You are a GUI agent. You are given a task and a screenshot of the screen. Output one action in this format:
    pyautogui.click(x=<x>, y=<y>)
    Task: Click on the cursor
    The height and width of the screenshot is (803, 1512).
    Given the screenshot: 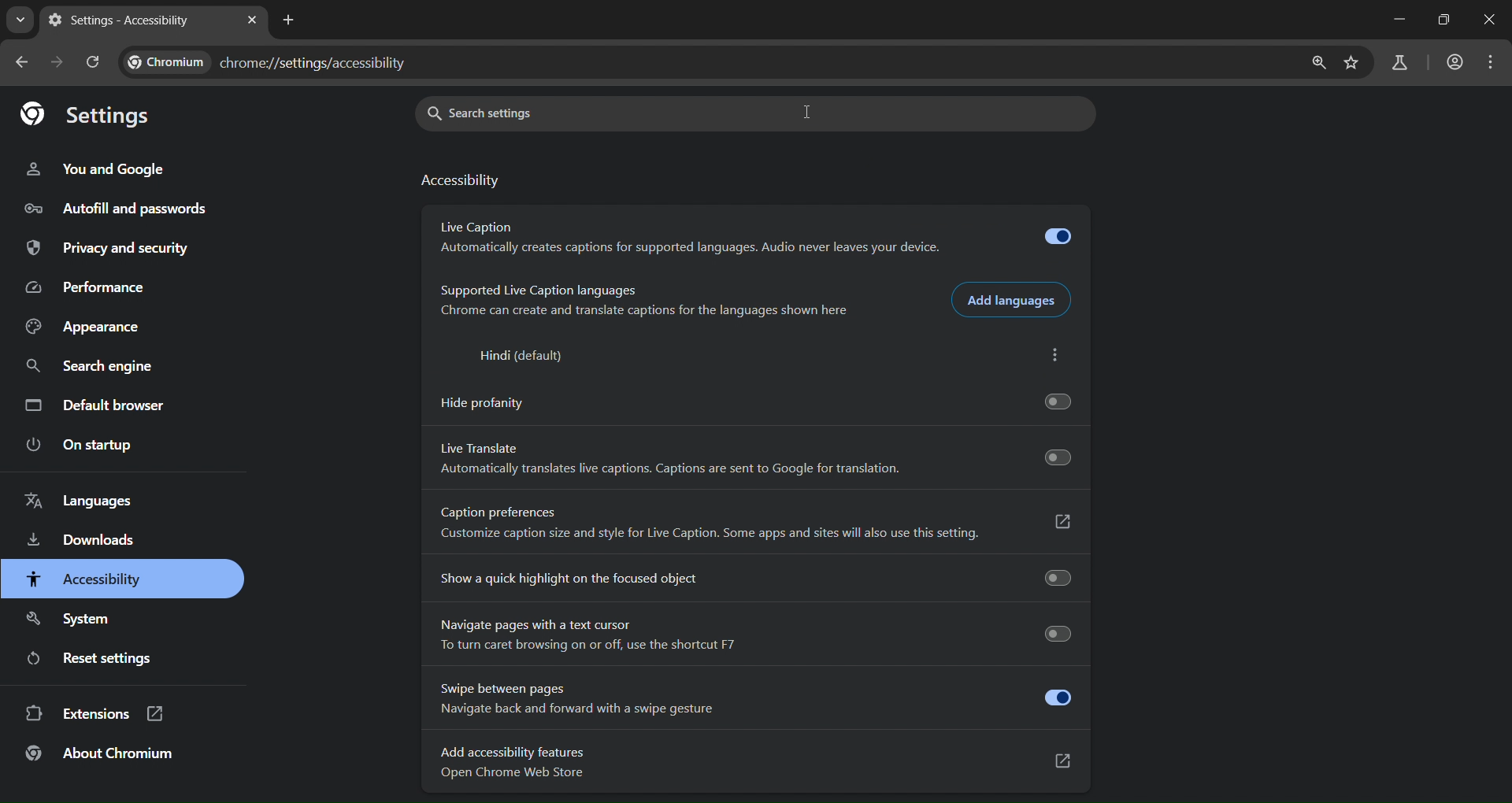 What is the action you would take?
    pyautogui.click(x=809, y=112)
    